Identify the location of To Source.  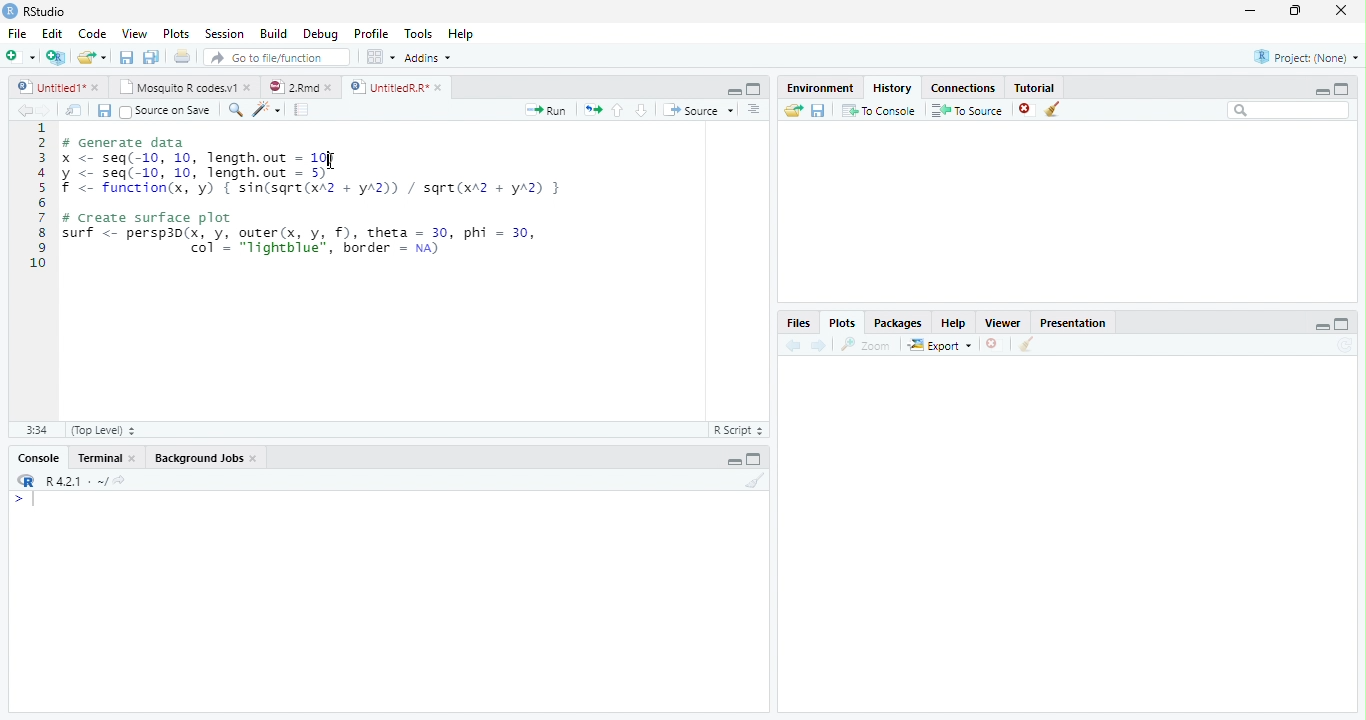
(966, 110).